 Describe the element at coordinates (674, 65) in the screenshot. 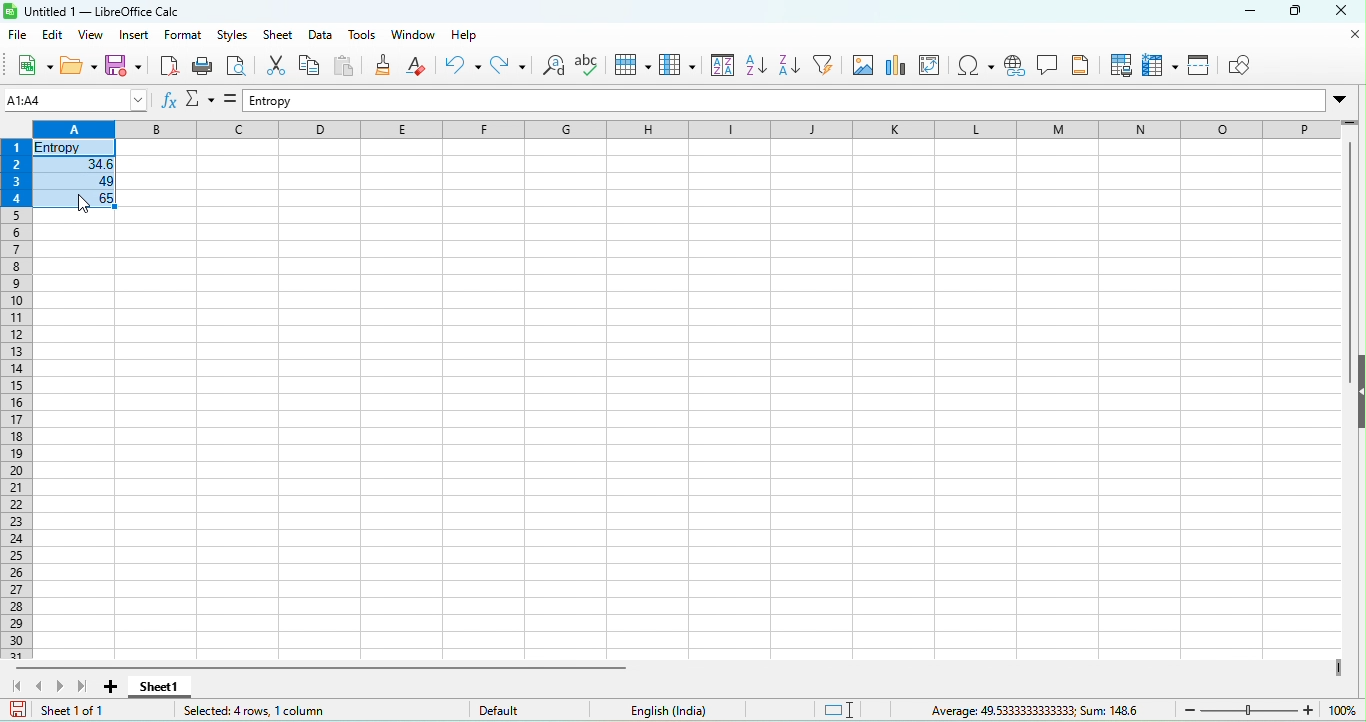

I see `column` at that location.